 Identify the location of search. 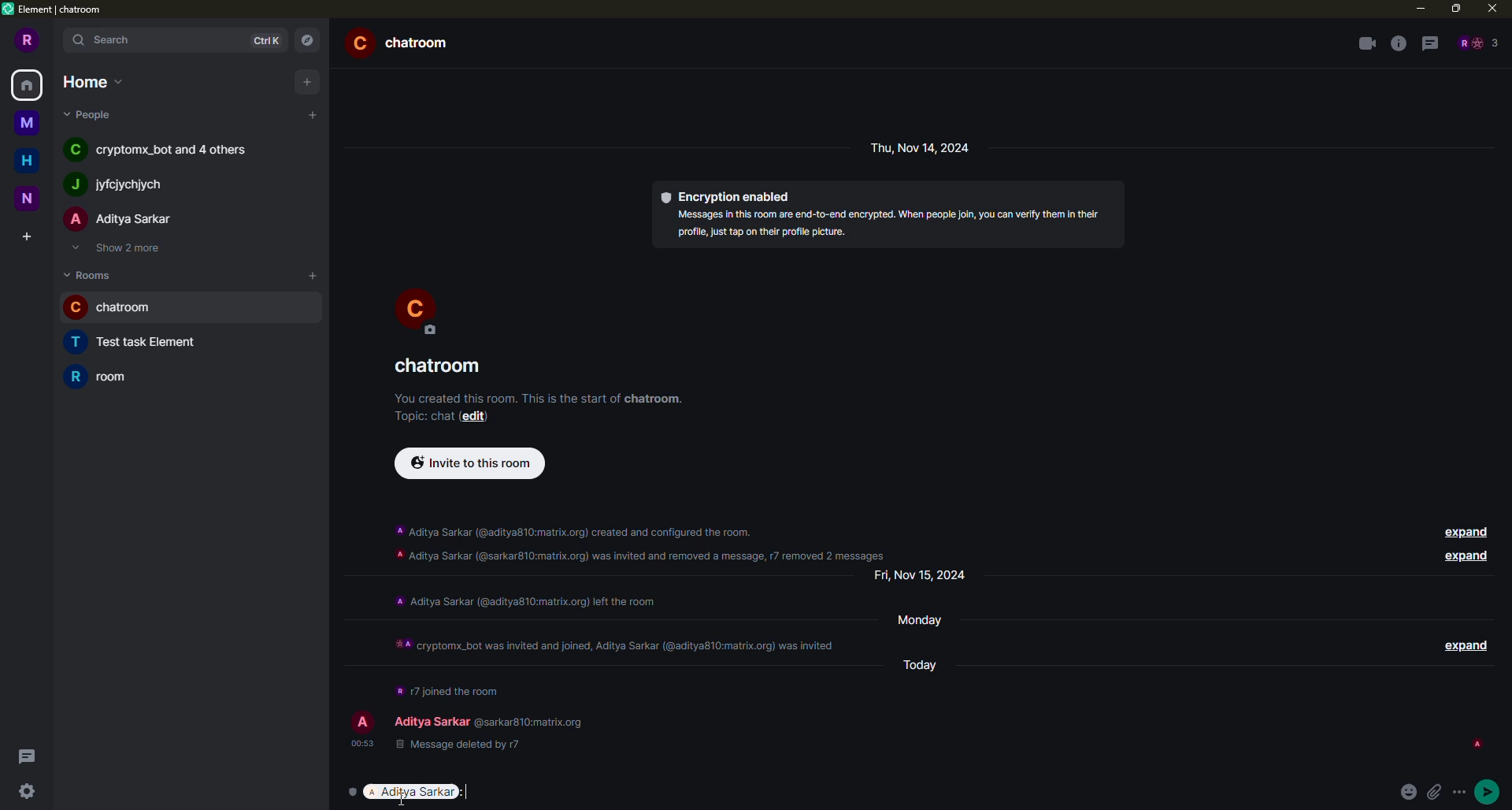
(104, 41).